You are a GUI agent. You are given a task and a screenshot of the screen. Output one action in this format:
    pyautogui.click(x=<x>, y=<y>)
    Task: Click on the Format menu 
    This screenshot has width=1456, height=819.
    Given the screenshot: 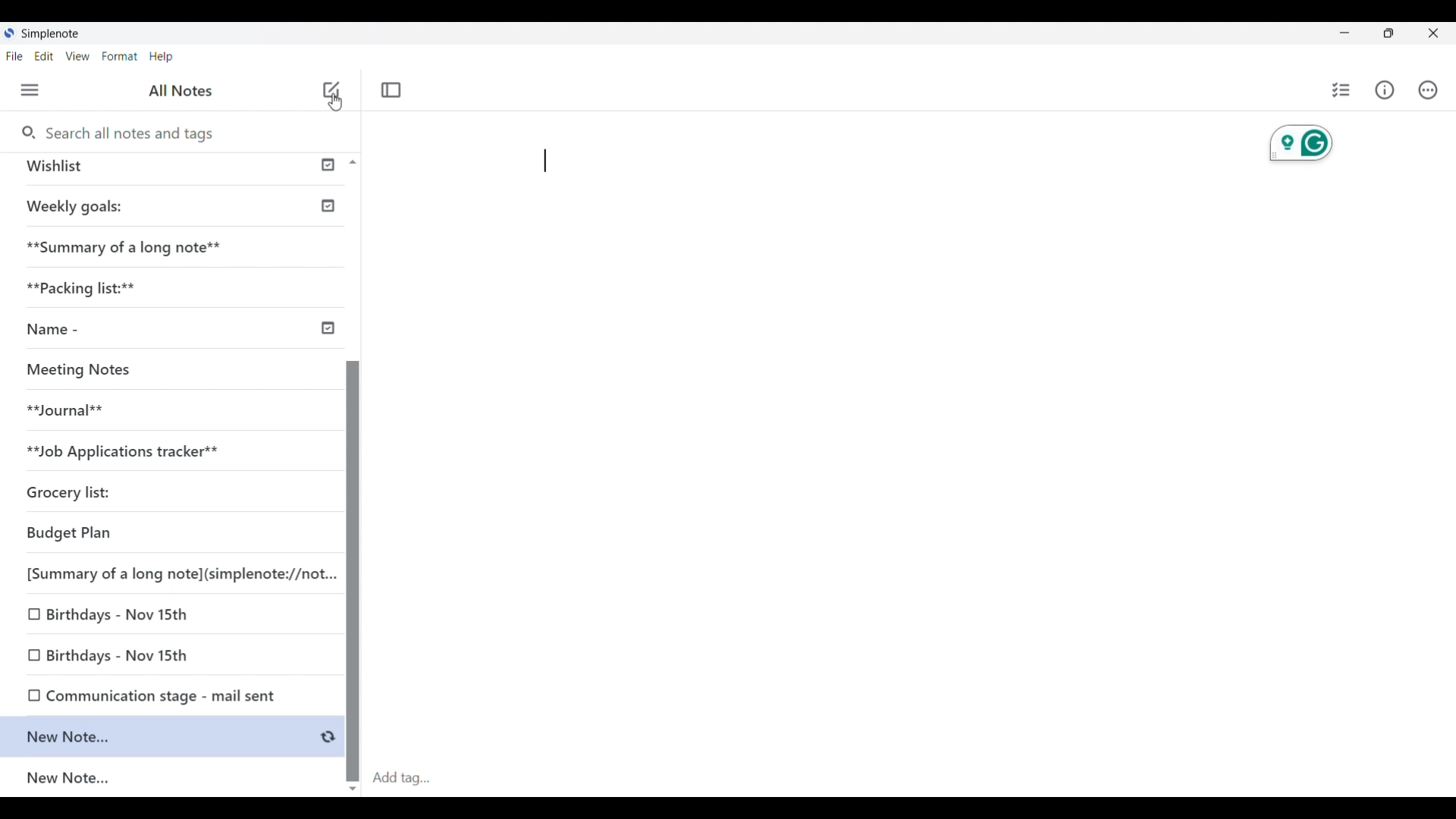 What is the action you would take?
    pyautogui.click(x=121, y=56)
    